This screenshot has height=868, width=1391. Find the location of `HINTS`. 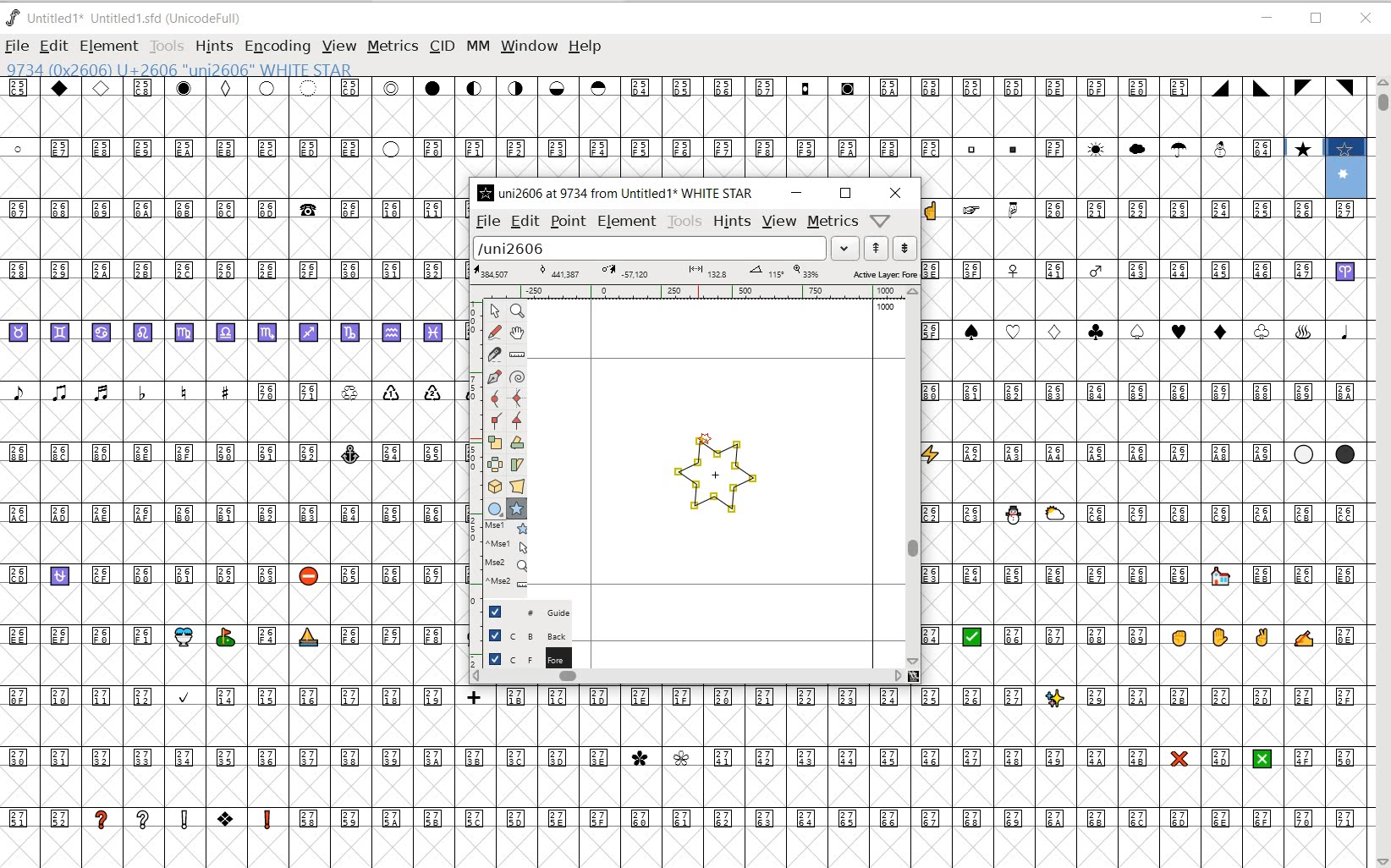

HINTS is located at coordinates (731, 222).